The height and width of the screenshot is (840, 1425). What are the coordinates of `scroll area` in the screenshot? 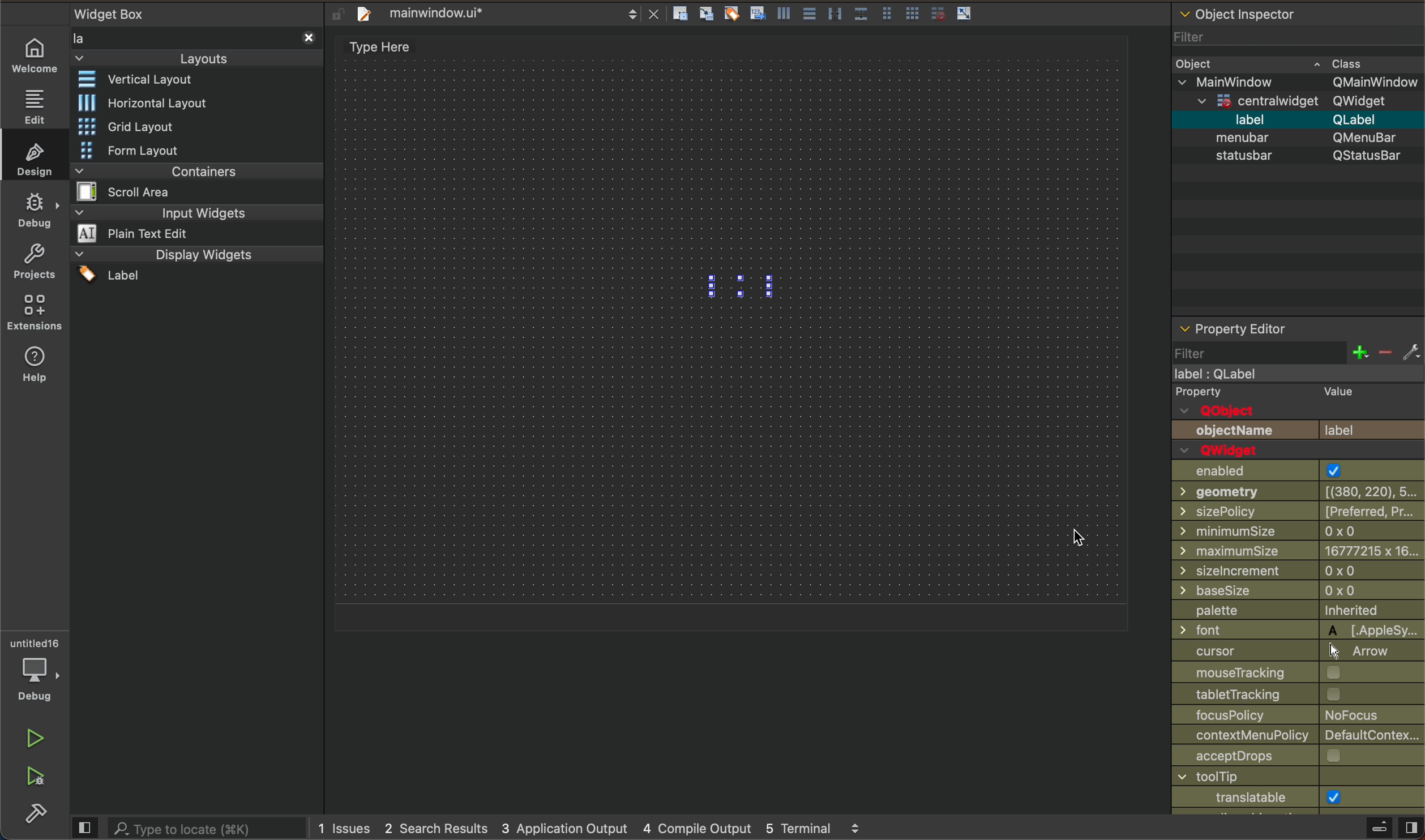 It's located at (155, 191).